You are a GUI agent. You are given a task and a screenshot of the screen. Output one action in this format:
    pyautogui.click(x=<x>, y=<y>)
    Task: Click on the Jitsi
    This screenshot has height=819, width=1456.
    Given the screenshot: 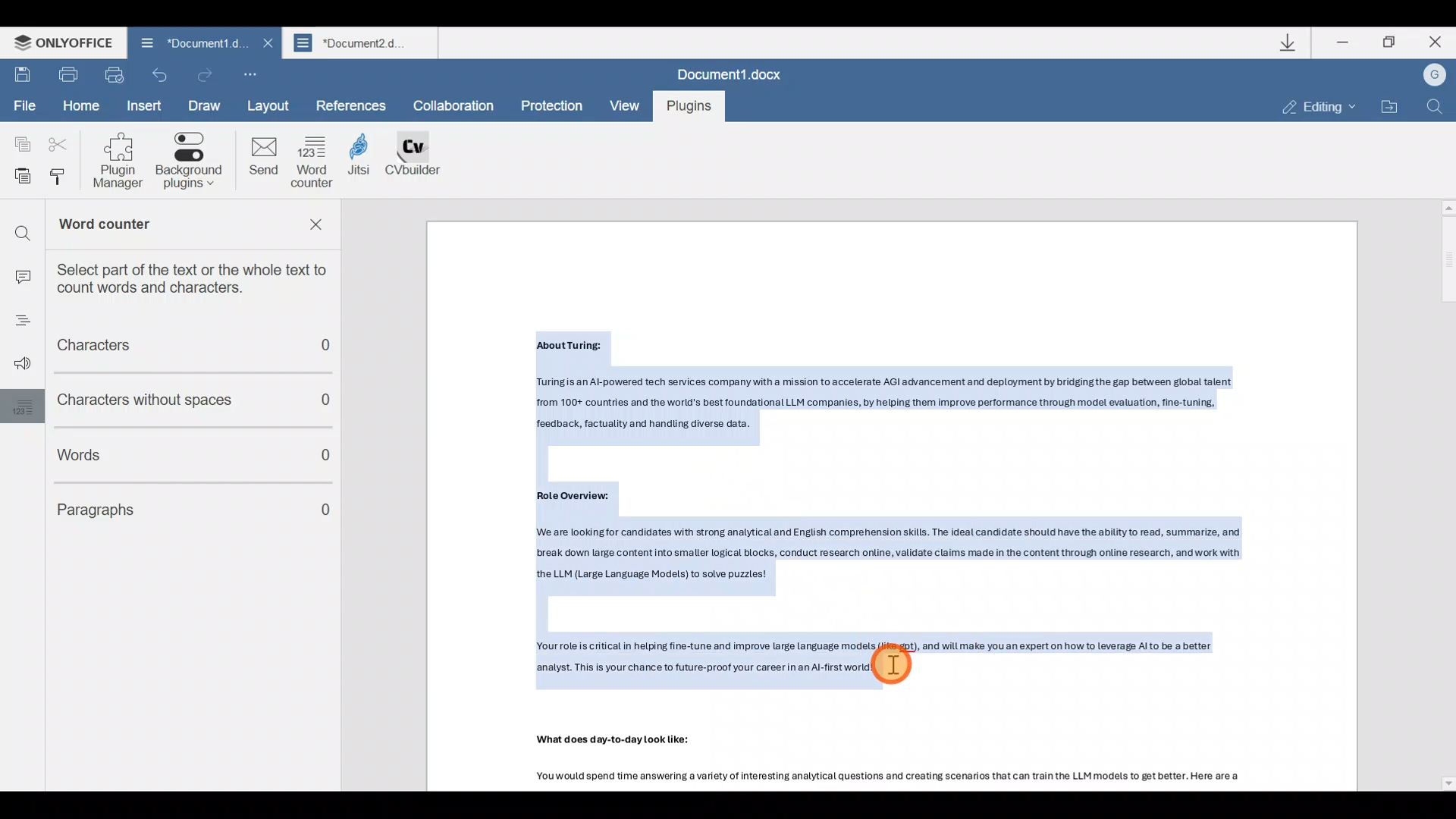 What is the action you would take?
    pyautogui.click(x=368, y=165)
    